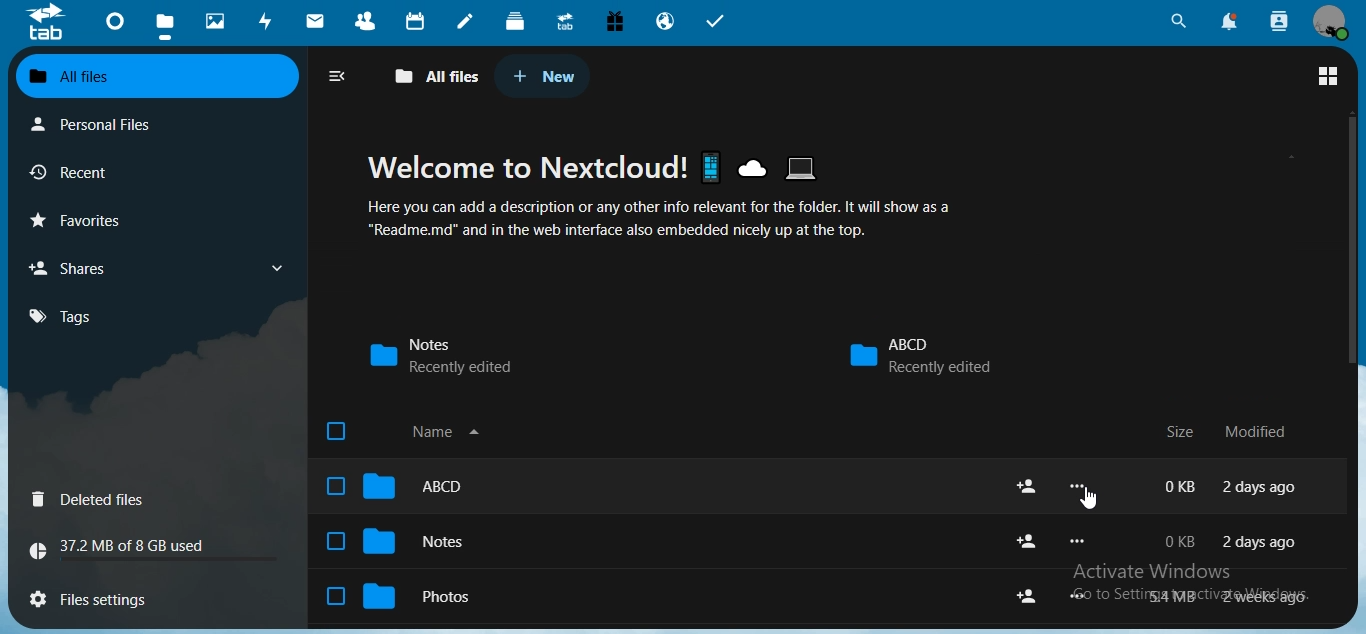  I want to click on notes, so click(468, 20).